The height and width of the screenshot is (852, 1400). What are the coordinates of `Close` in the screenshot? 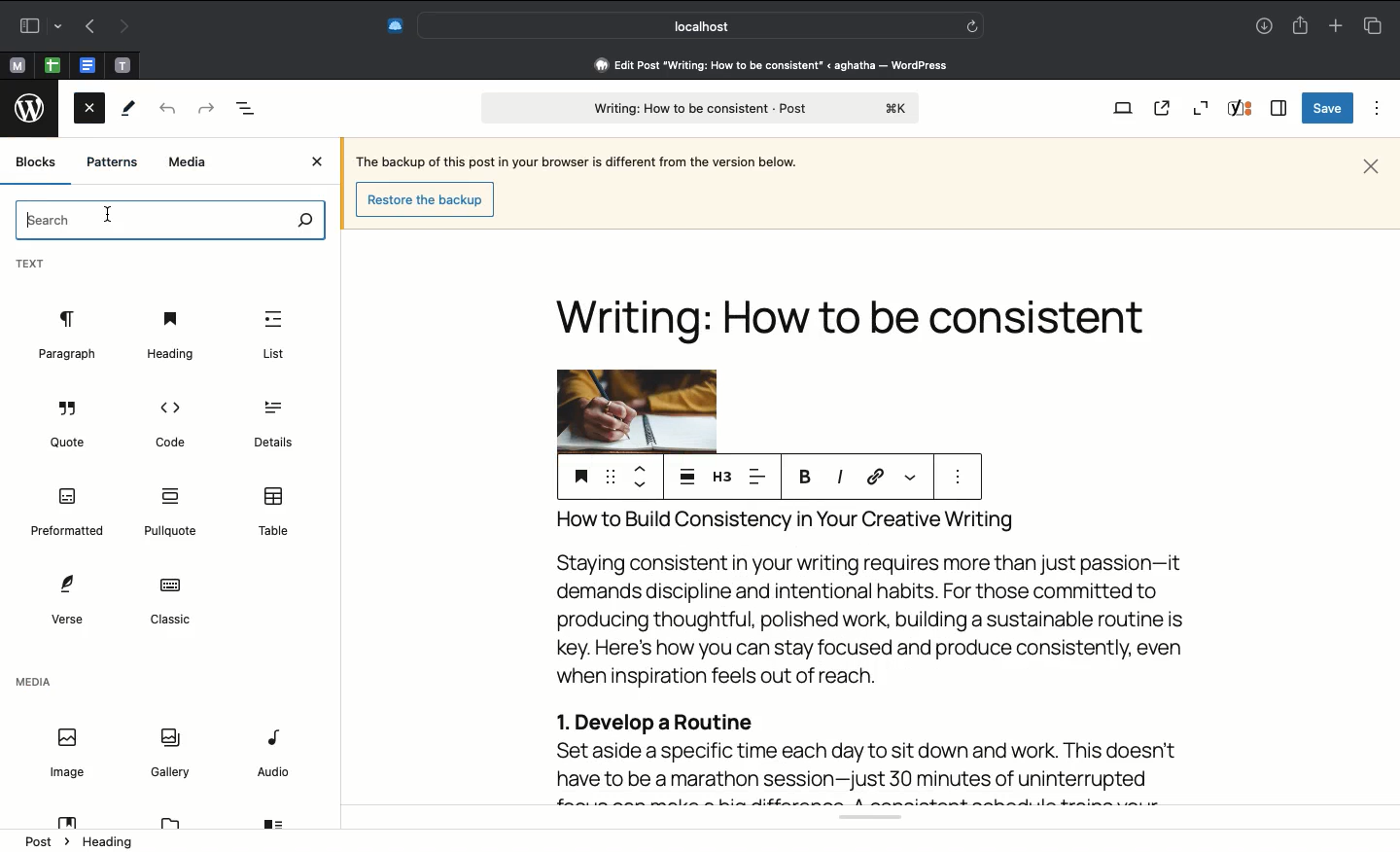 It's located at (1371, 166).